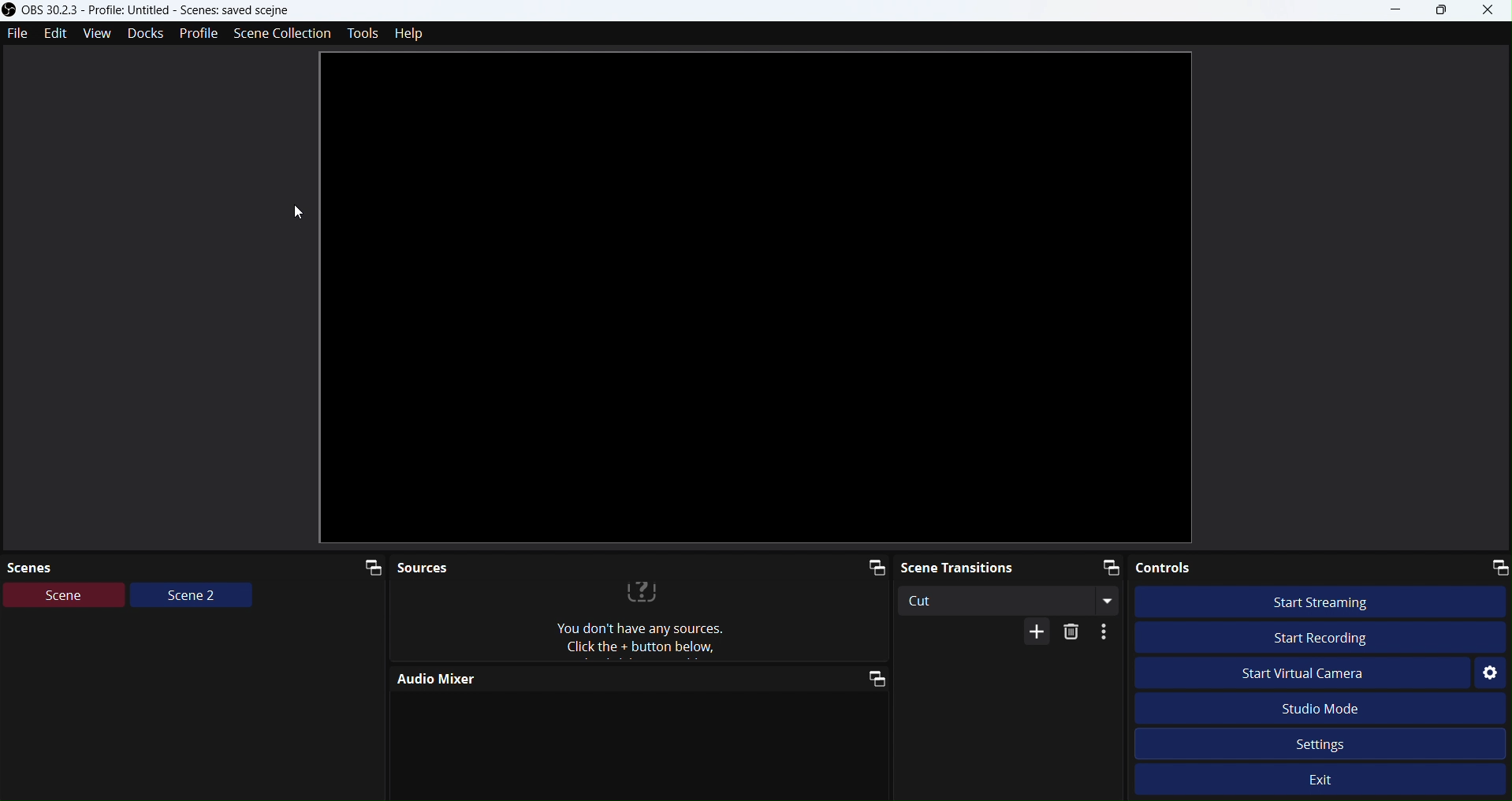 The image size is (1512, 801). I want to click on Profile, so click(200, 33).